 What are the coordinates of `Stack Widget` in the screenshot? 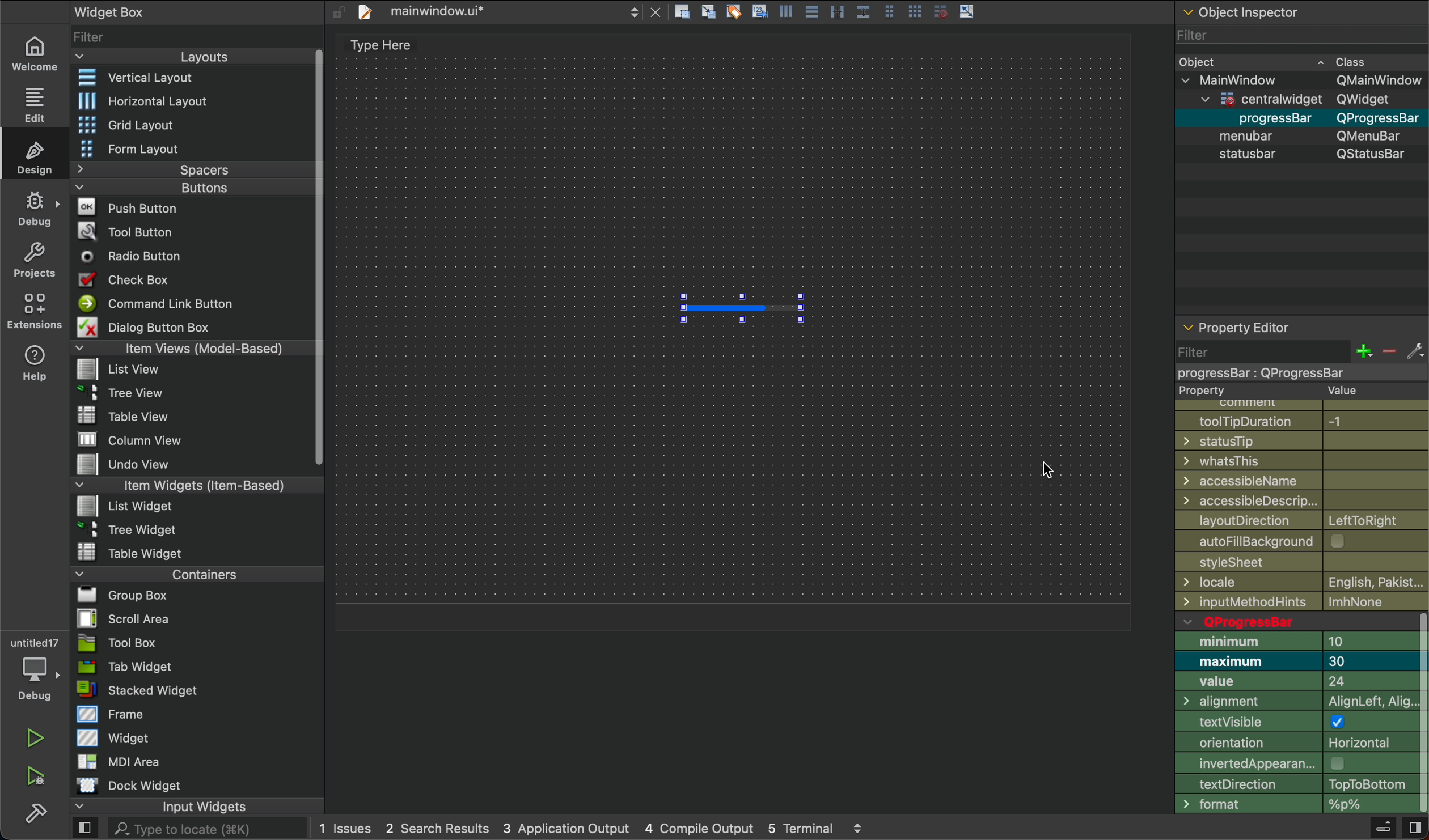 It's located at (177, 690).